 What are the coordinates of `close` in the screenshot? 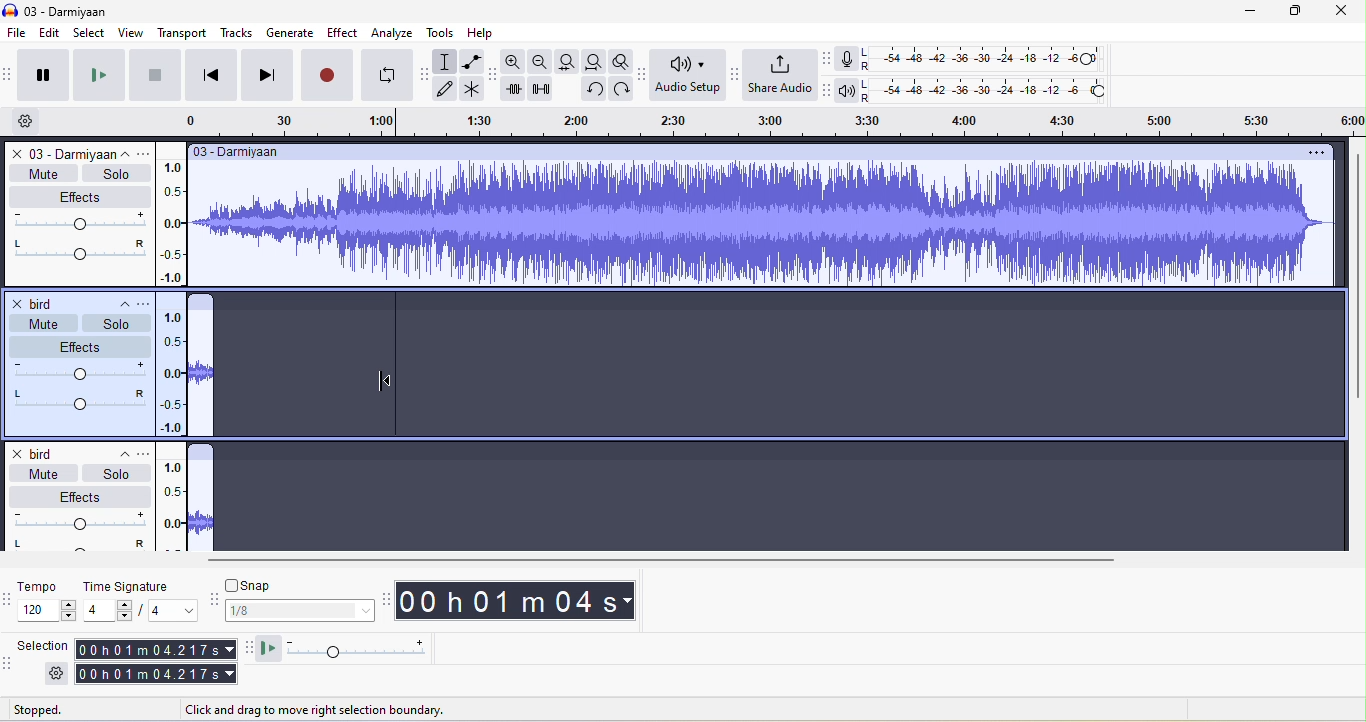 It's located at (1338, 11).